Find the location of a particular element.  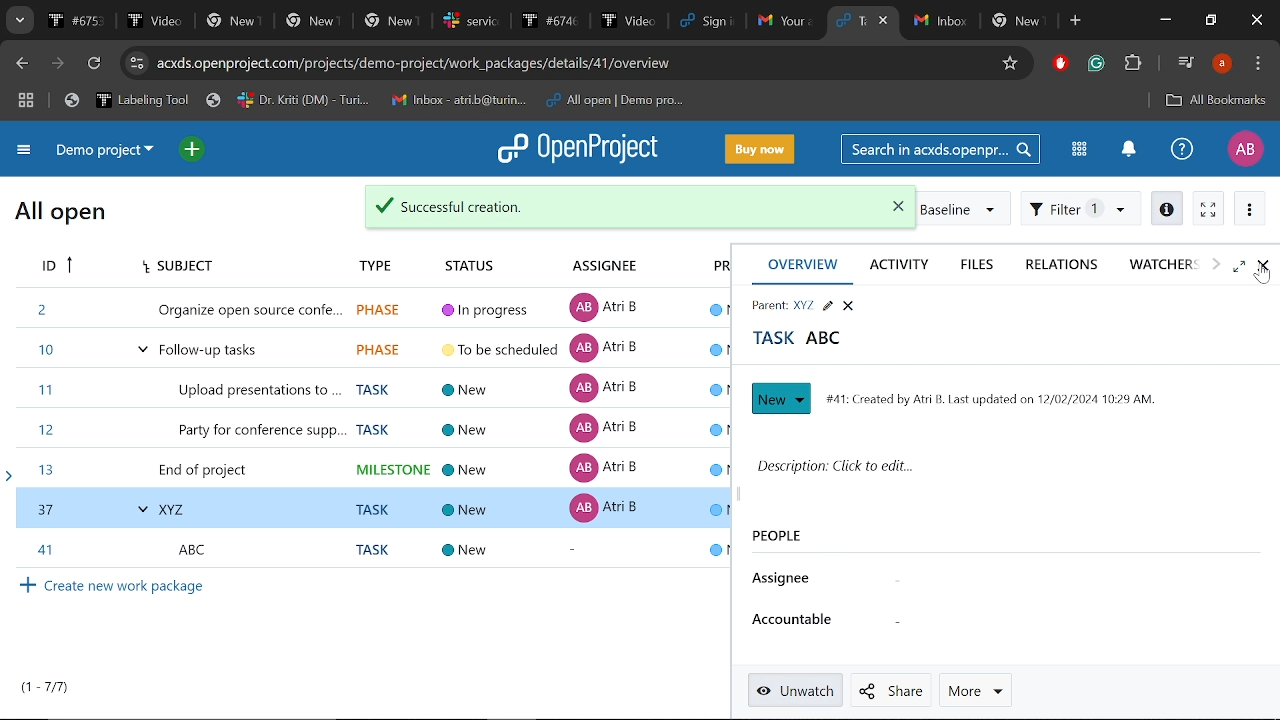

Current project is located at coordinates (110, 151).